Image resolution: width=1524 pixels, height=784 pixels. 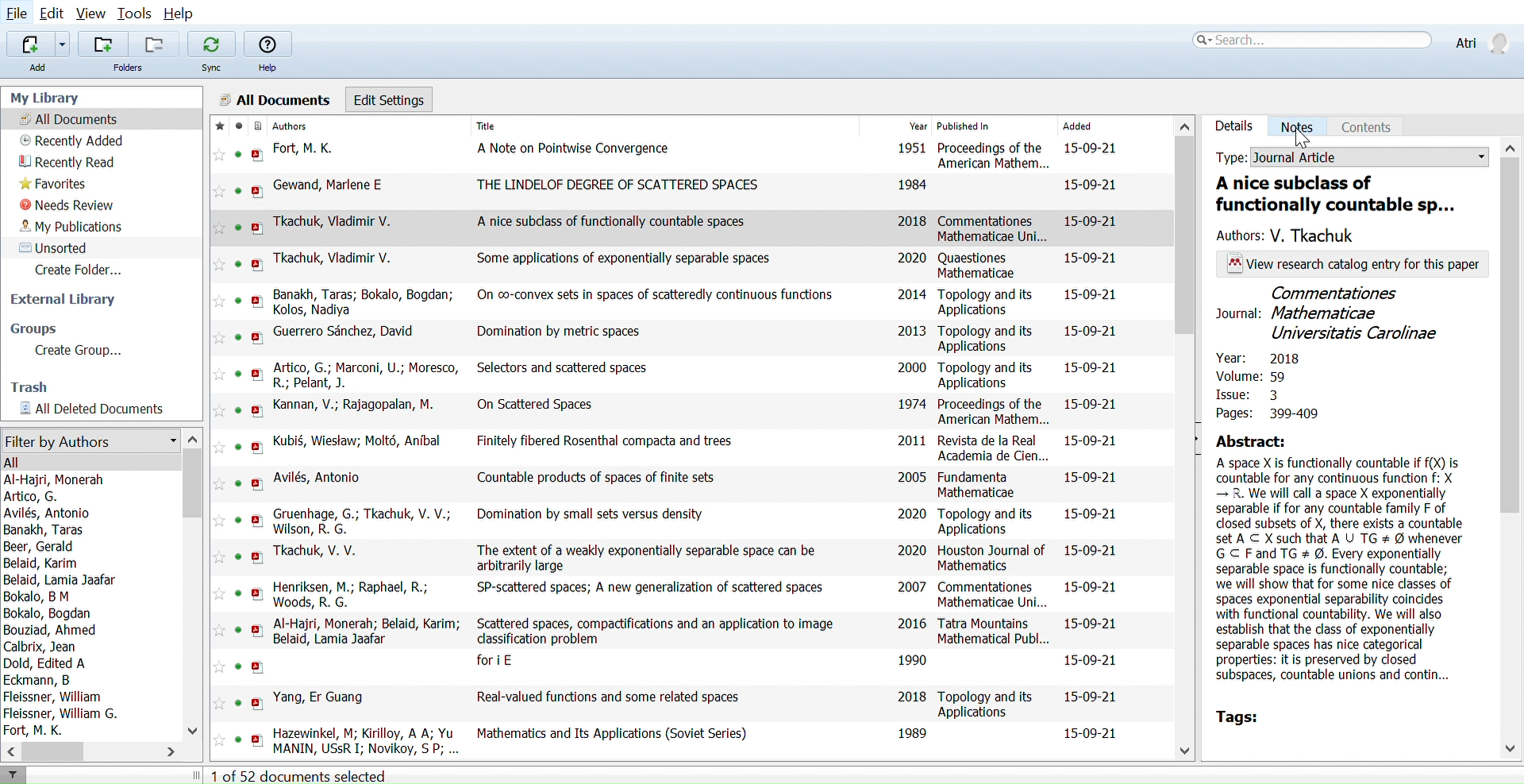 I want to click on Add this reference to favorites, so click(x=220, y=410).